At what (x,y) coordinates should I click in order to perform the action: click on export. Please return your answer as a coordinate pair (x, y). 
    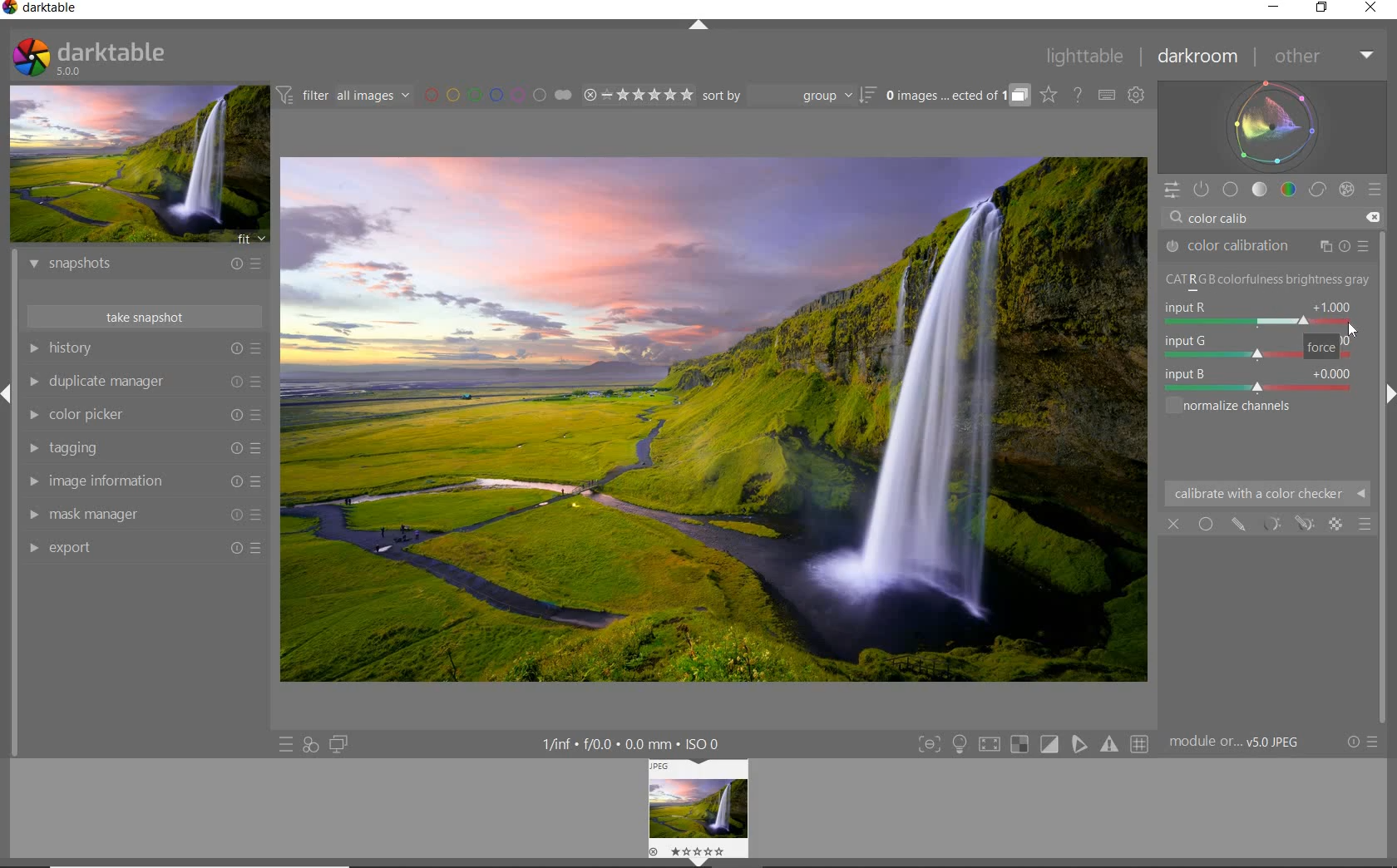
    Looking at the image, I should click on (146, 550).